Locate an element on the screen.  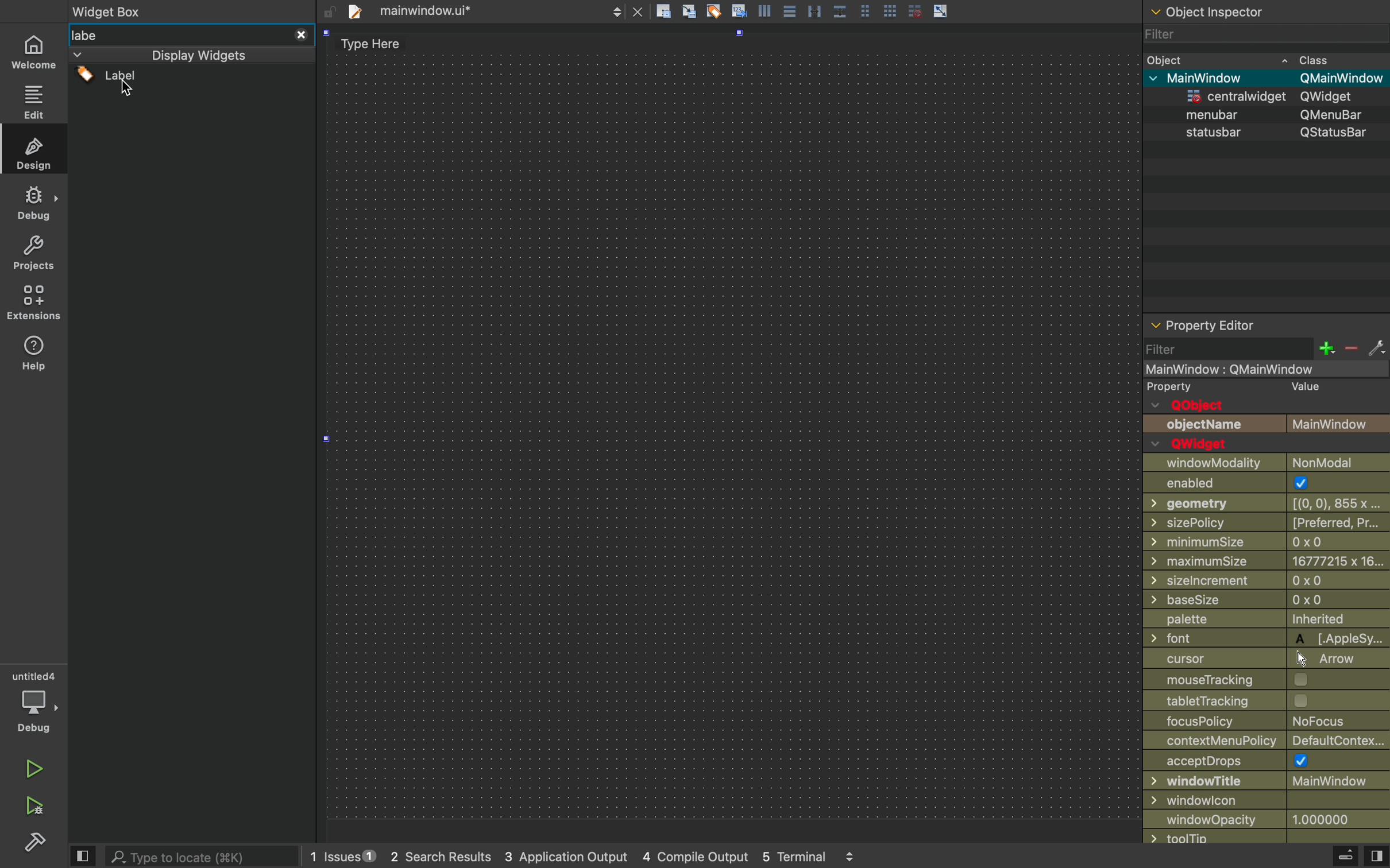
widjget is located at coordinates (1275, 98).